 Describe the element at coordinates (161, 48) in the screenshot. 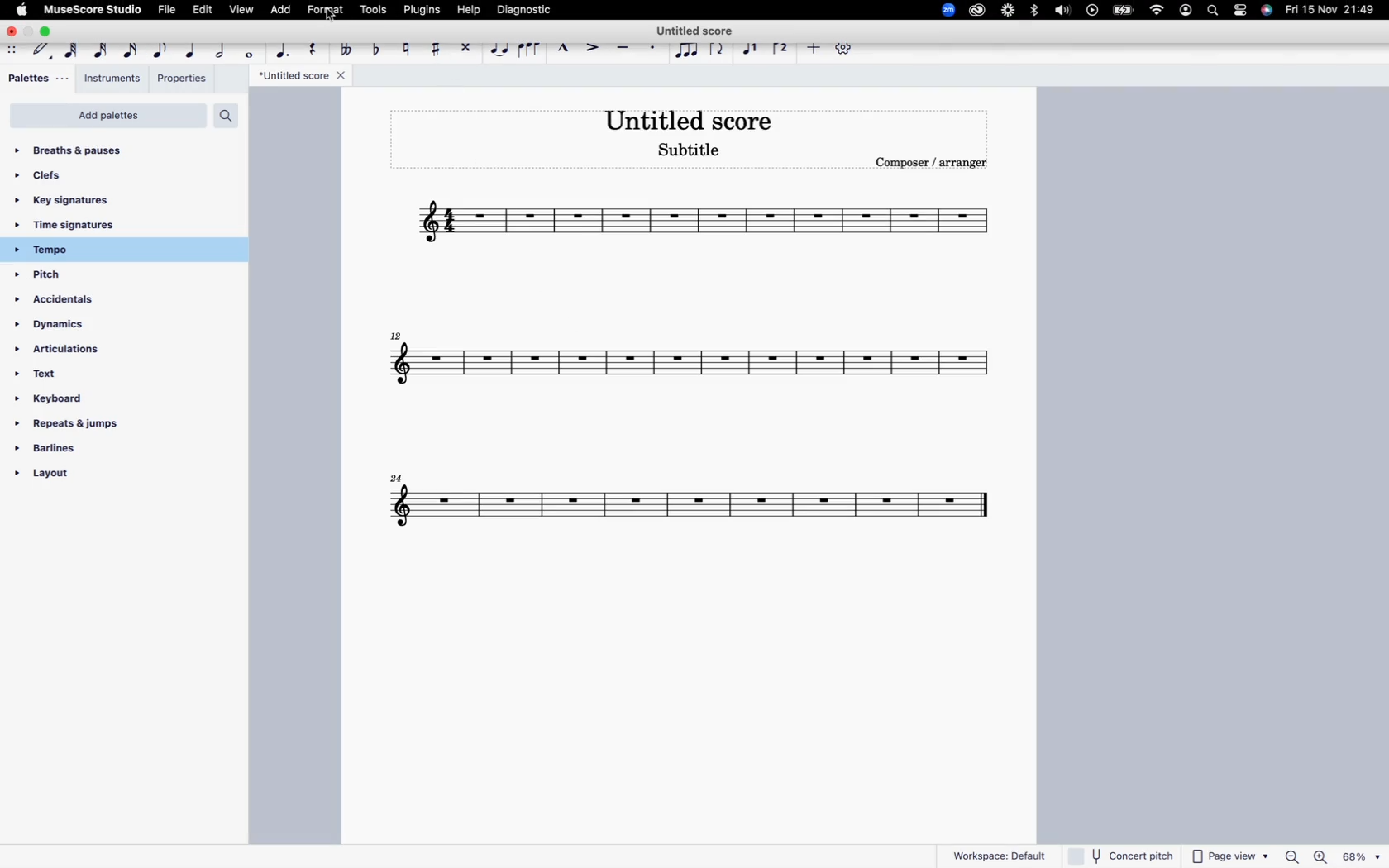

I see `eighth note` at that location.